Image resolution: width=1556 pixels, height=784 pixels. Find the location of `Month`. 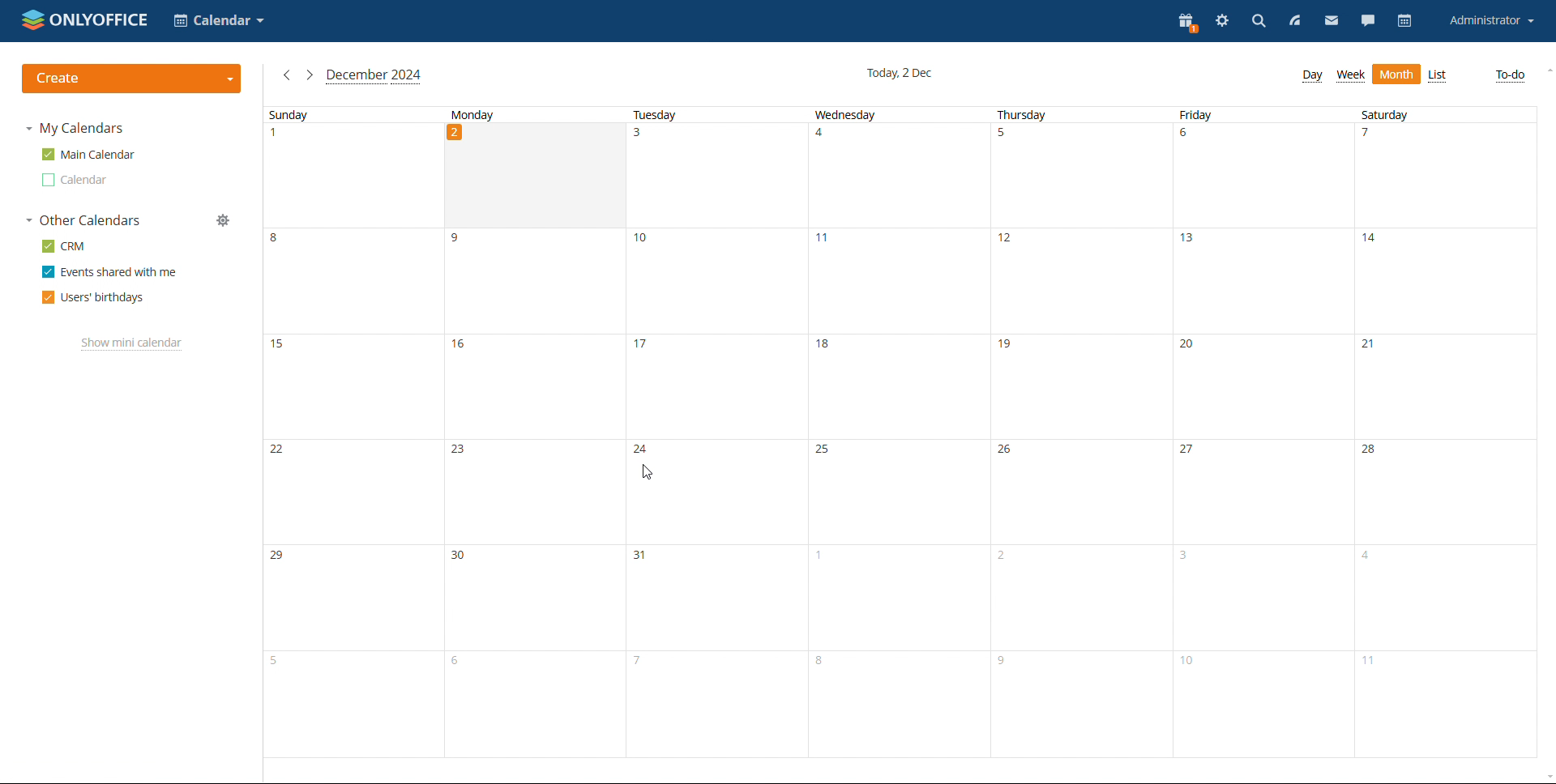

Month is located at coordinates (1397, 75).